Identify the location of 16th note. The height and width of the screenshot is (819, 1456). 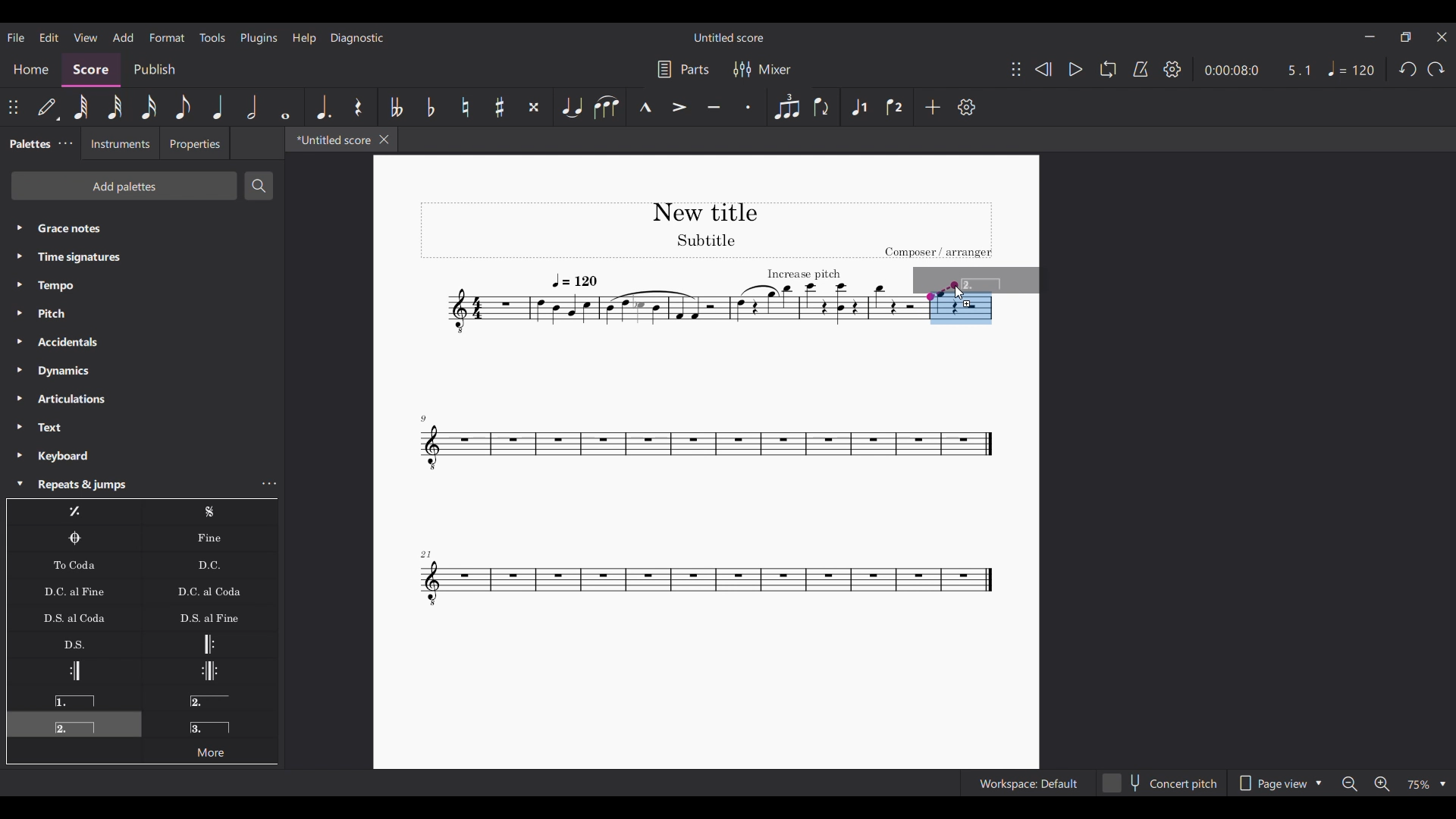
(149, 107).